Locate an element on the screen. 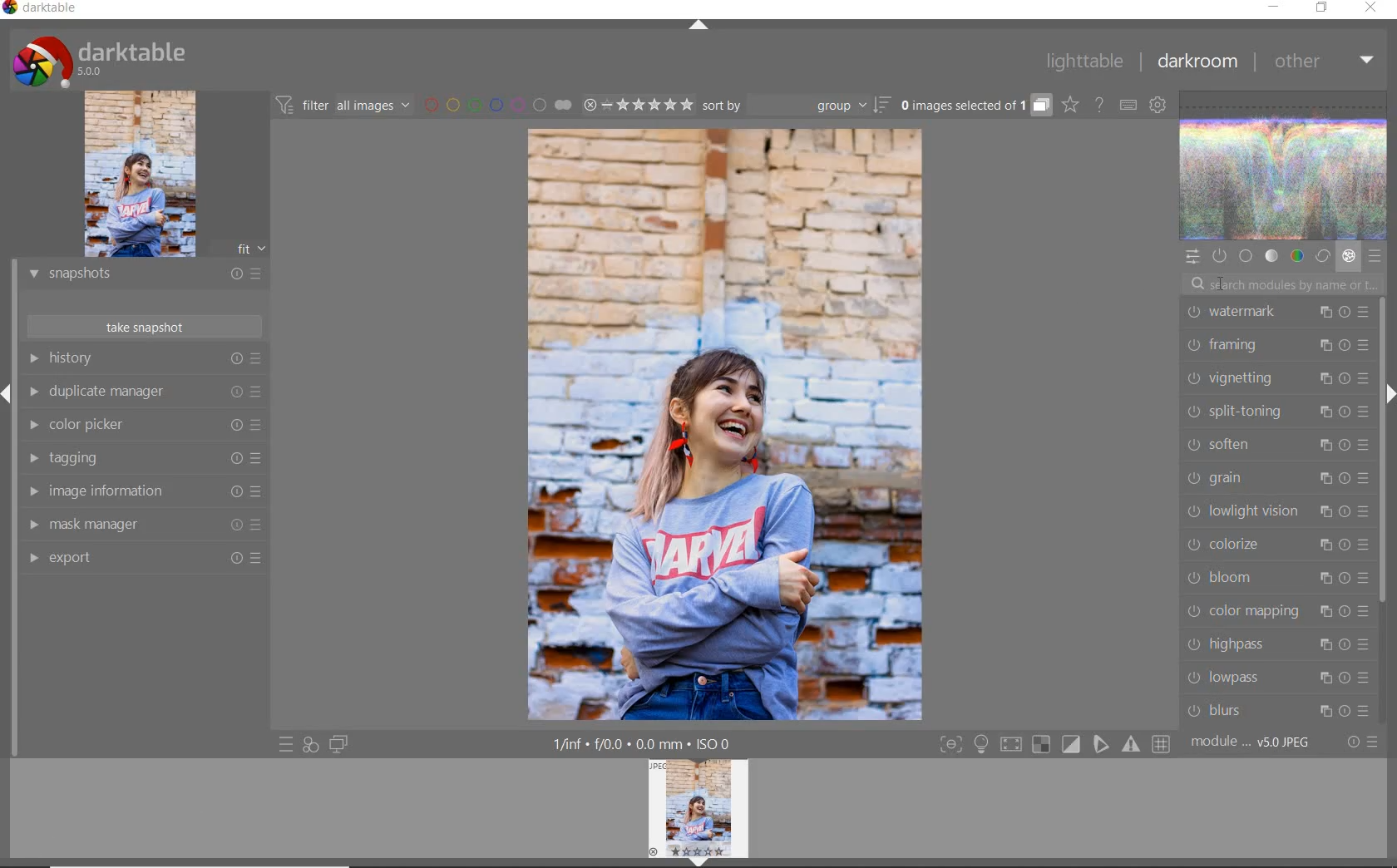  range ratings for selected images is located at coordinates (638, 104).